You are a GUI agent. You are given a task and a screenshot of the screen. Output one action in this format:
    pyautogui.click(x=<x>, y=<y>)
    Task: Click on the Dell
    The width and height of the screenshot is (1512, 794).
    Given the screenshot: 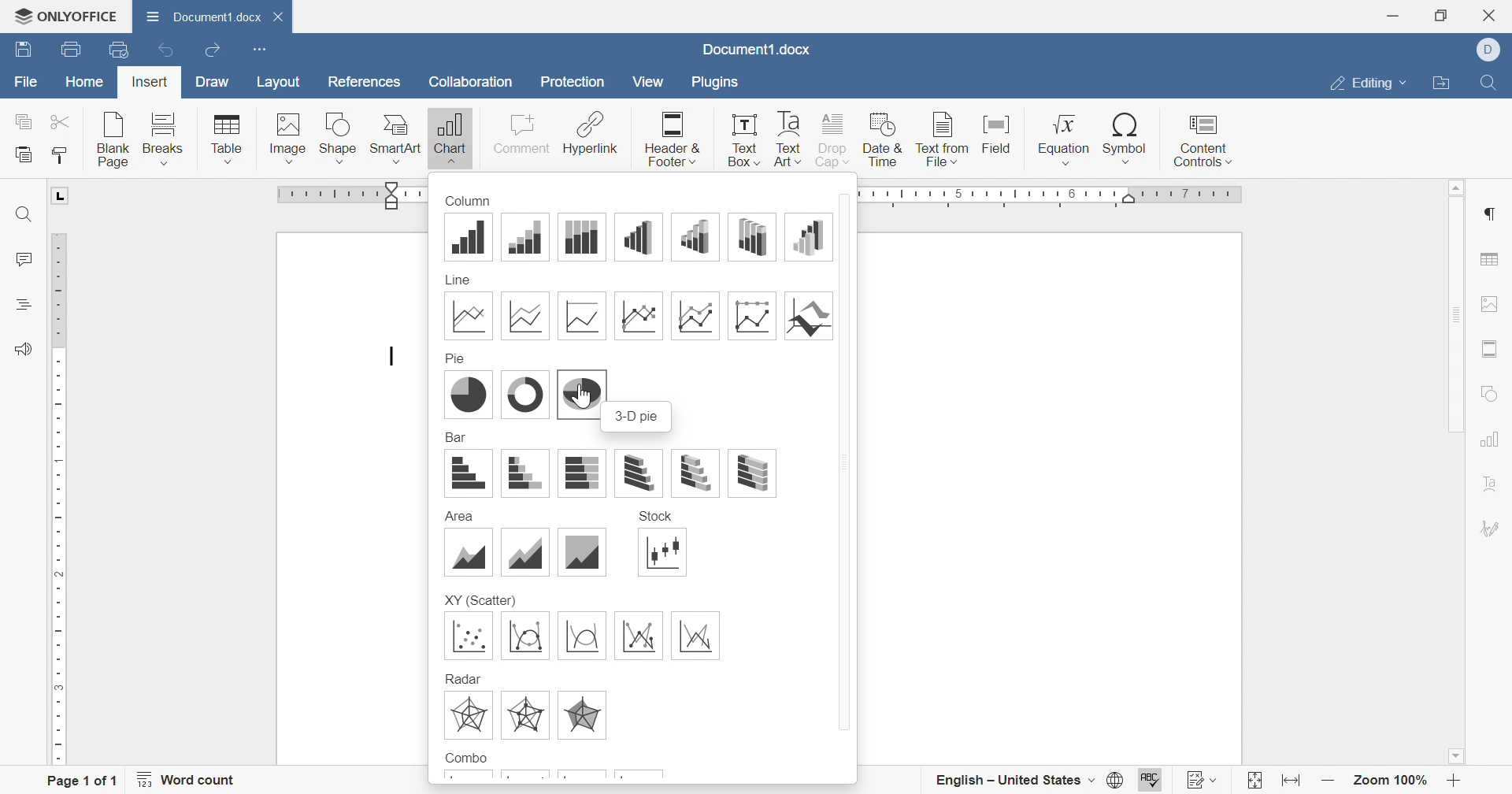 What is the action you would take?
    pyautogui.click(x=1488, y=48)
    